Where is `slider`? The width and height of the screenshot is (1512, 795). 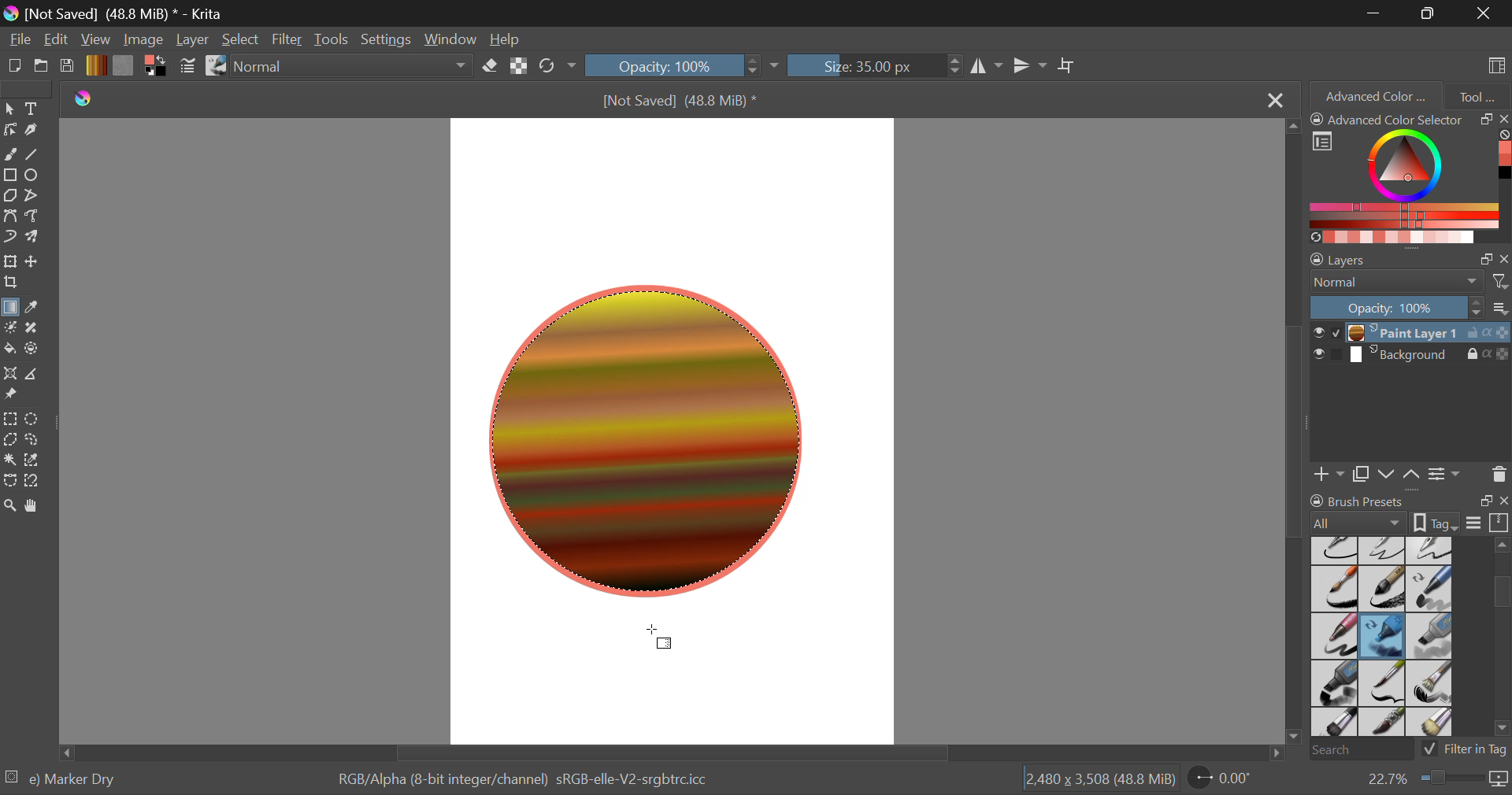
slider is located at coordinates (1497, 640).